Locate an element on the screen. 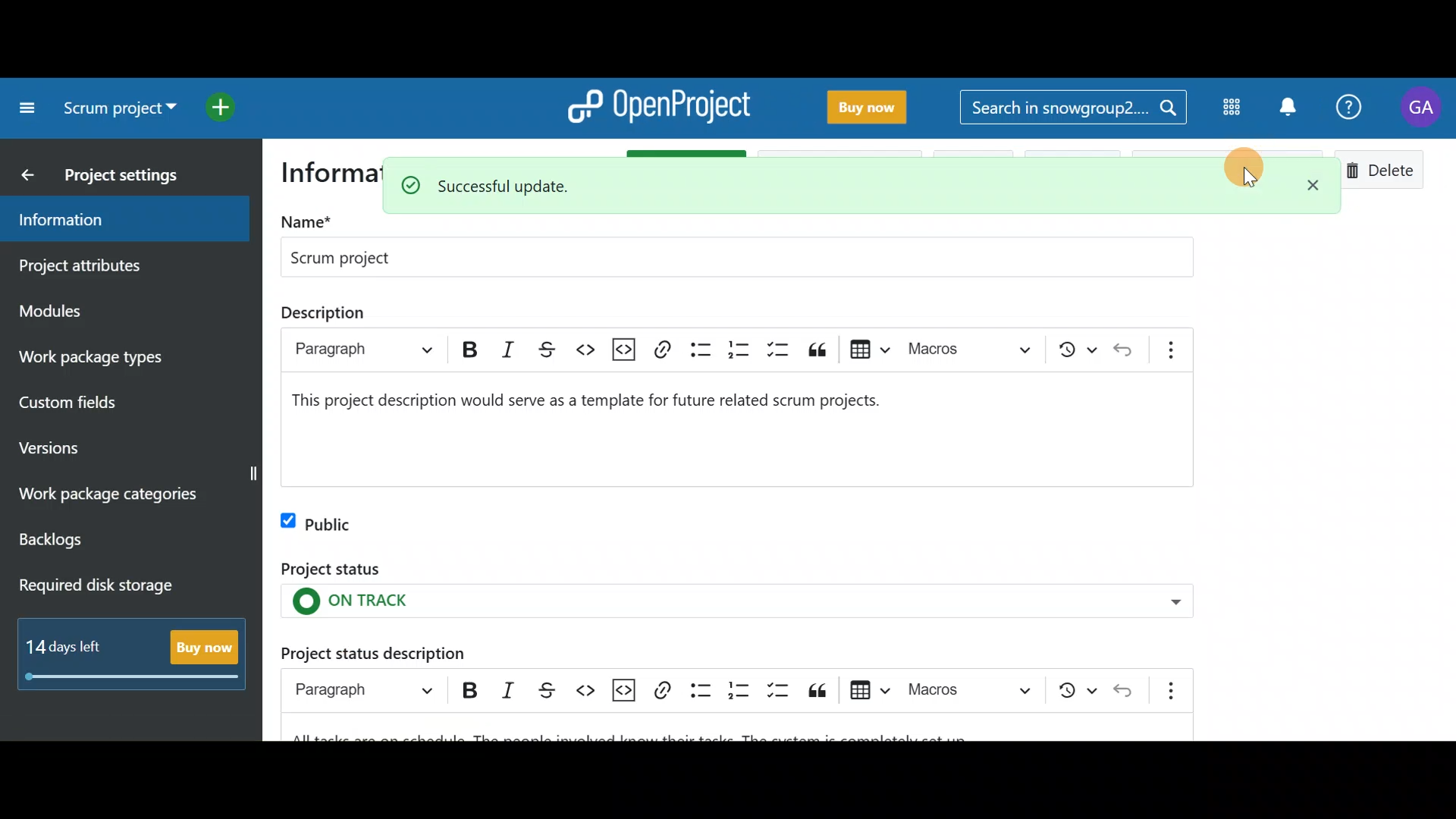 This screenshot has height=819, width=1456. Strikethrough is located at coordinates (551, 689).